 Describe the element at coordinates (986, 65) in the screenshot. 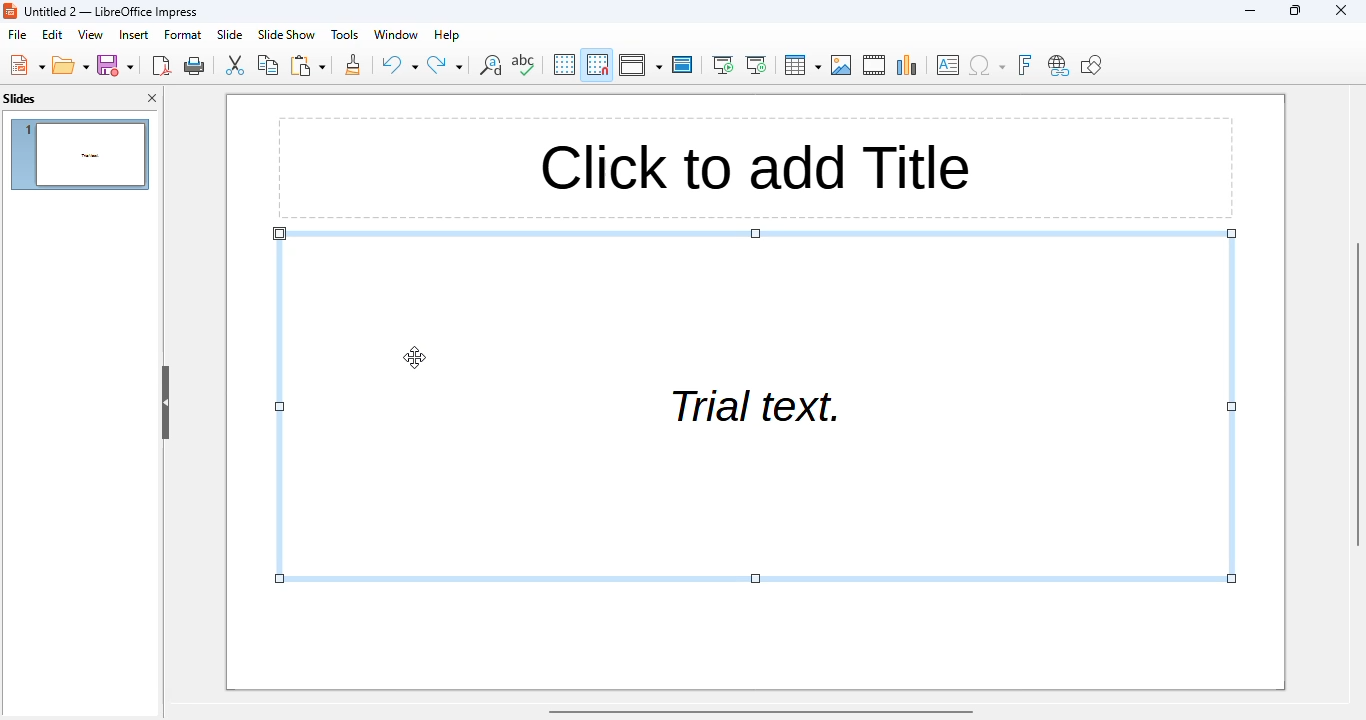

I see `insert special characters` at that location.